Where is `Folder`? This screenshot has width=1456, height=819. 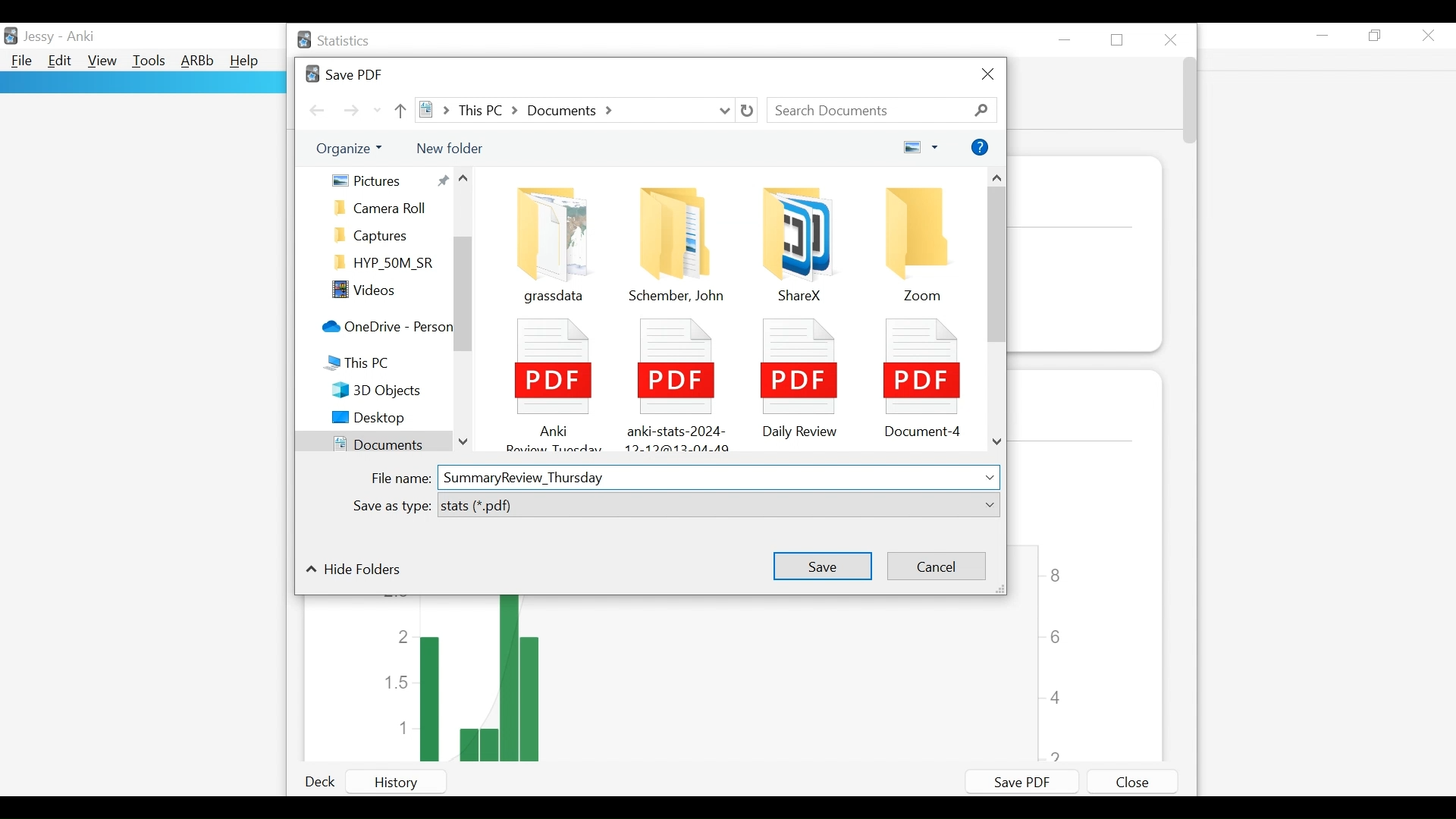
Folder is located at coordinates (922, 243).